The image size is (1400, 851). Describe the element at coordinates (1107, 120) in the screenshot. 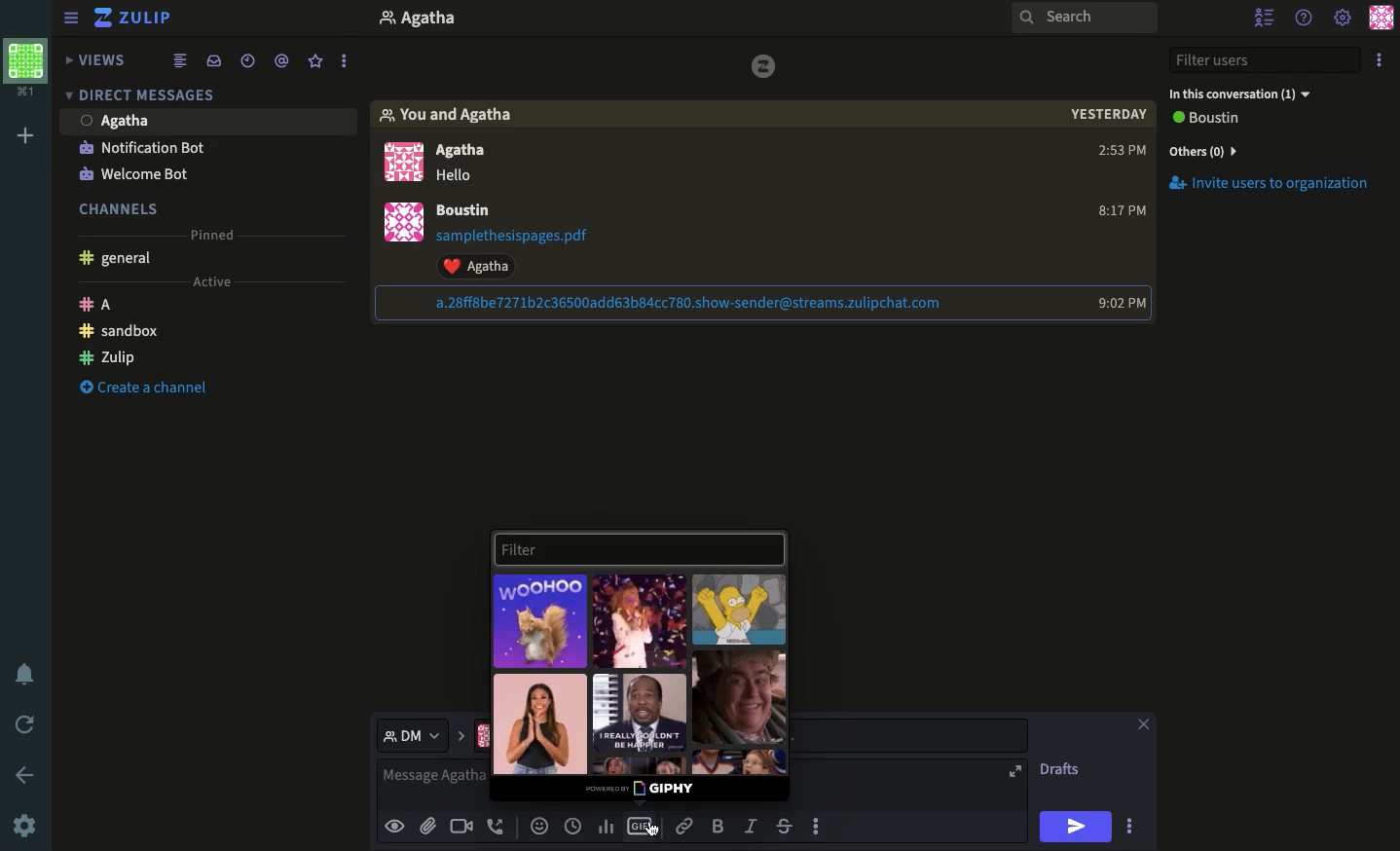

I see `Time` at that location.